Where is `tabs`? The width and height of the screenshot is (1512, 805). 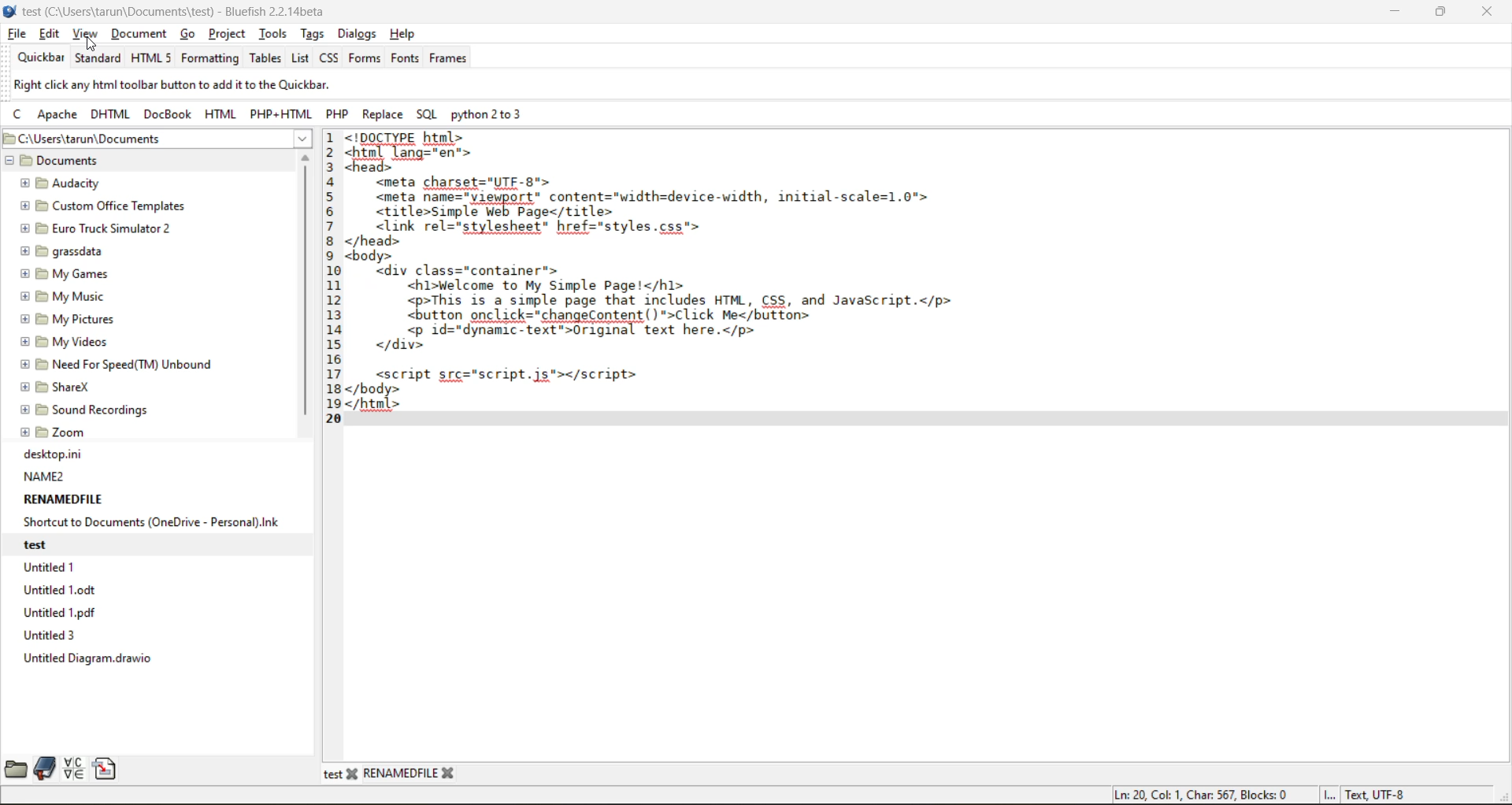
tabs is located at coordinates (391, 773).